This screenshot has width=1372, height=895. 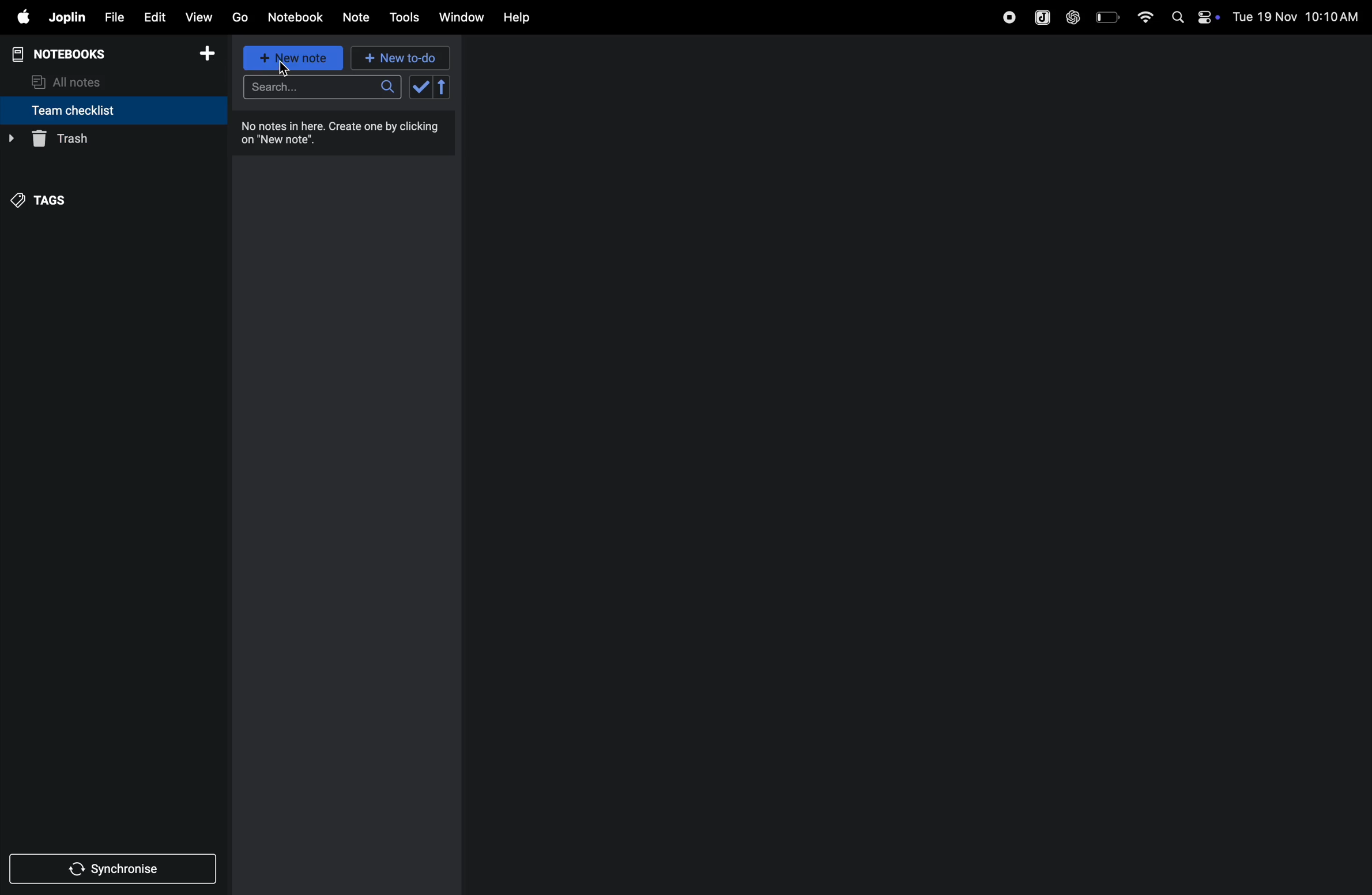 What do you see at coordinates (1297, 17) in the screenshot?
I see `Tue 19 Nov 10:10 AM(date and time)` at bounding box center [1297, 17].